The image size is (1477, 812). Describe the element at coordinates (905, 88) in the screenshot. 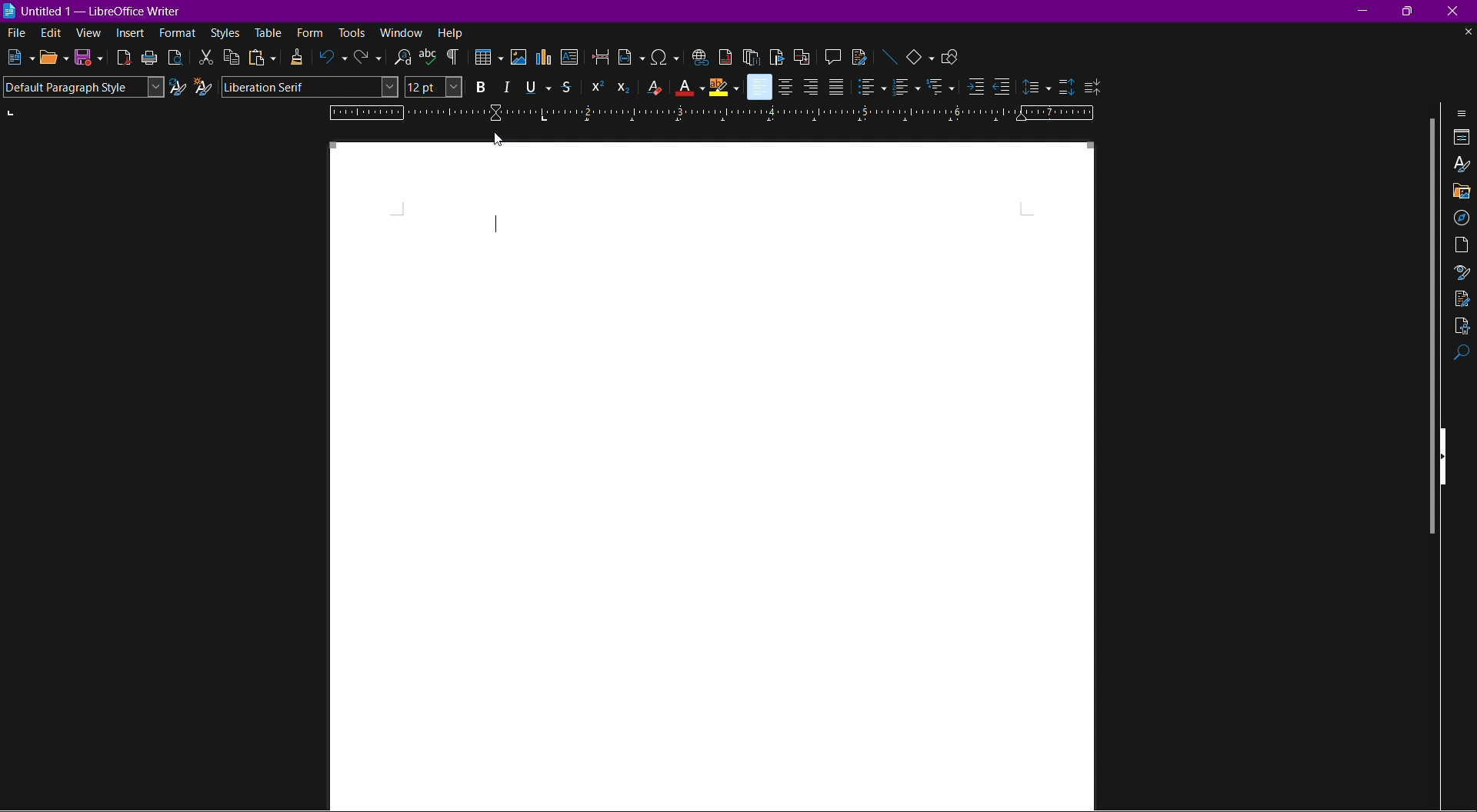

I see `Toggle Ordered List` at that location.